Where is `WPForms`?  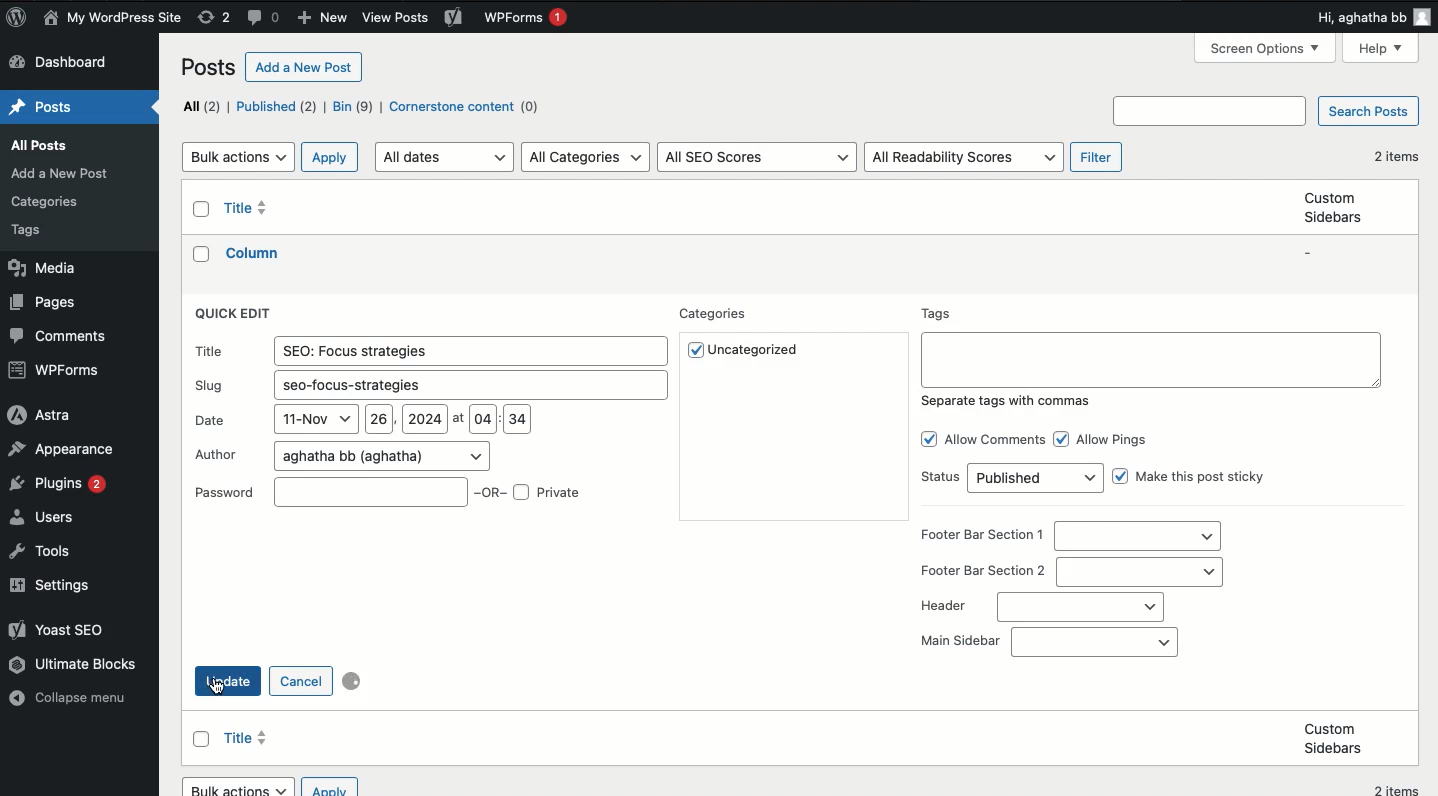
WPForms is located at coordinates (525, 20).